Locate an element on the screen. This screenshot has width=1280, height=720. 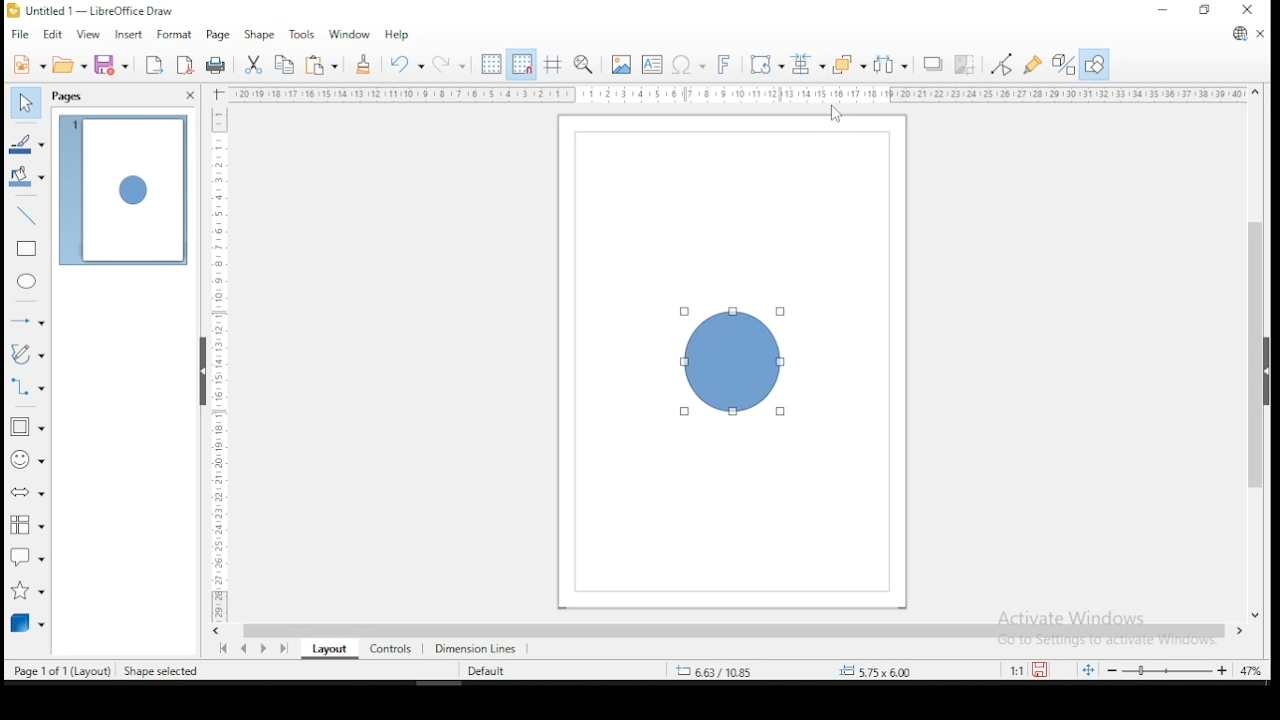
stars and banners is located at coordinates (29, 586).